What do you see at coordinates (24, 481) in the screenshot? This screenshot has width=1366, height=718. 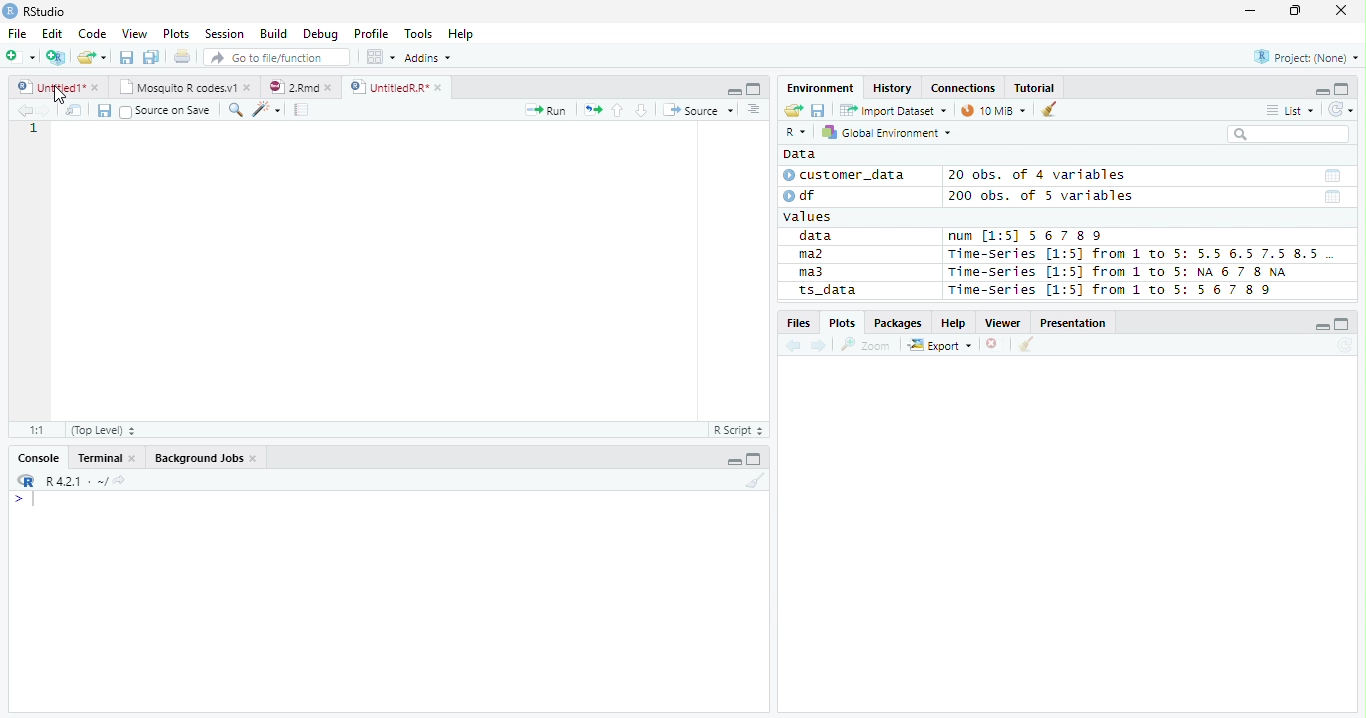 I see `R` at bounding box center [24, 481].